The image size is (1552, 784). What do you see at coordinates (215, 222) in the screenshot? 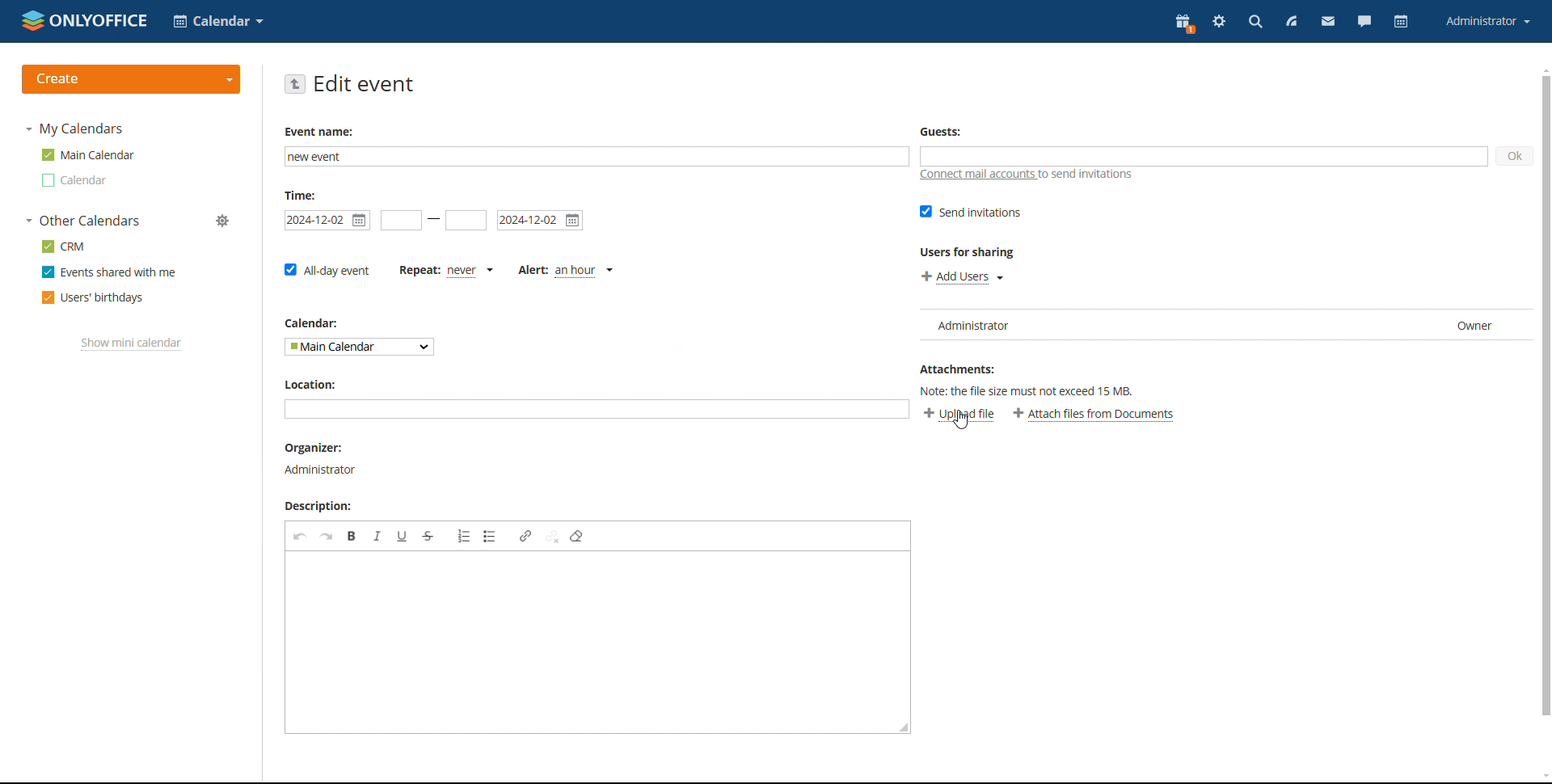
I see `calender setttings` at bounding box center [215, 222].